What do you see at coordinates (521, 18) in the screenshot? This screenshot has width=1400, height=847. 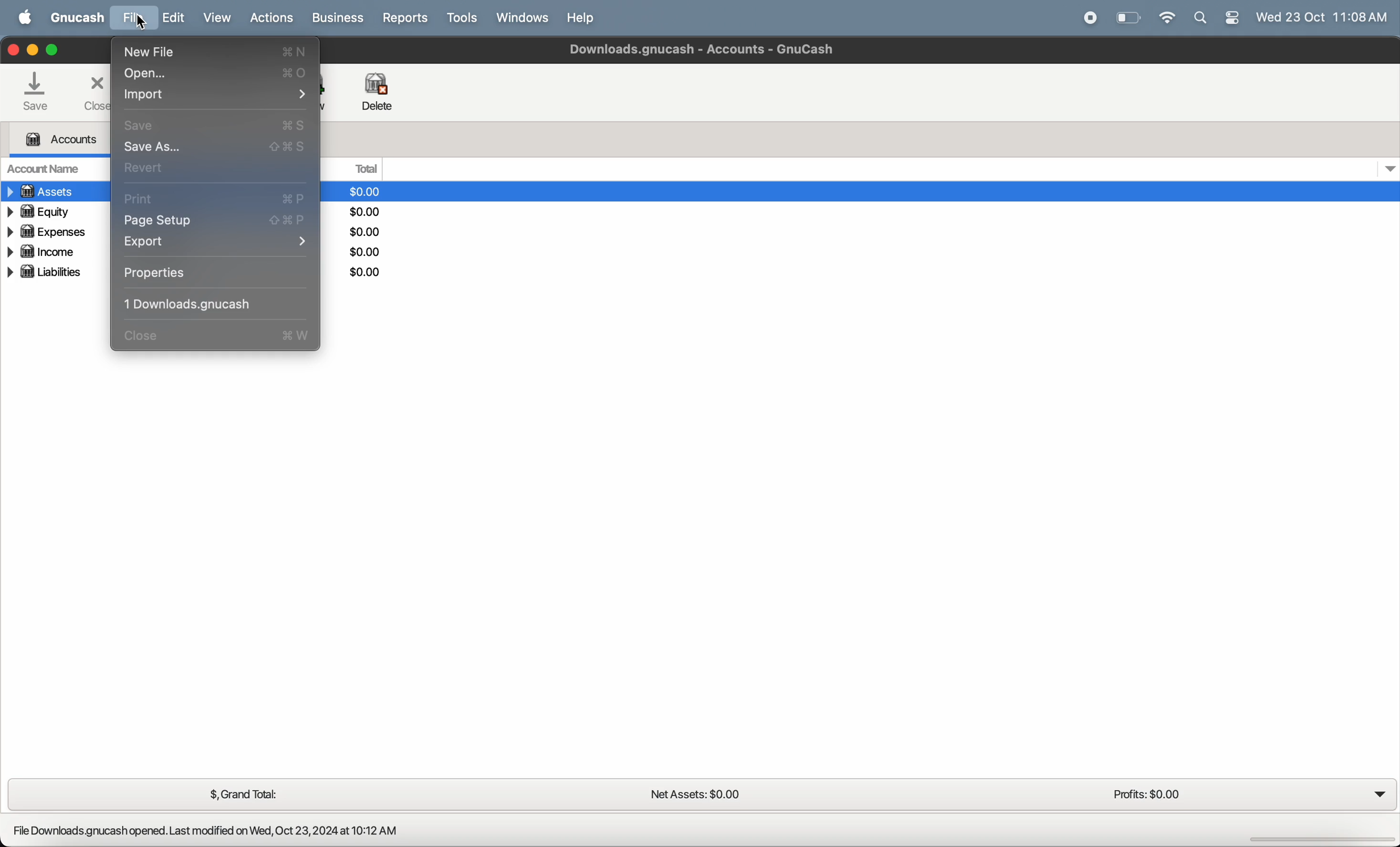 I see `windows` at bounding box center [521, 18].